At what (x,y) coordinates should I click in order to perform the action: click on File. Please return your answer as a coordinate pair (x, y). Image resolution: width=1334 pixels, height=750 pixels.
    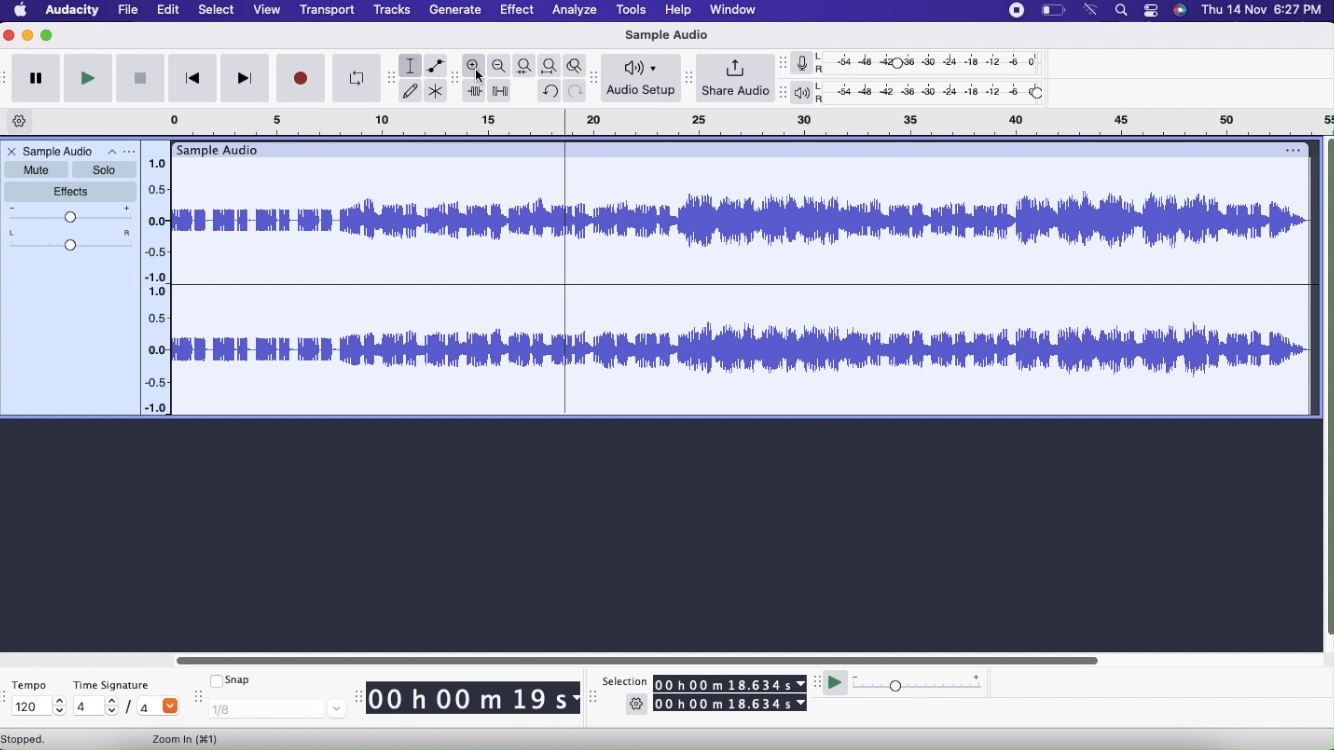
    Looking at the image, I should click on (128, 10).